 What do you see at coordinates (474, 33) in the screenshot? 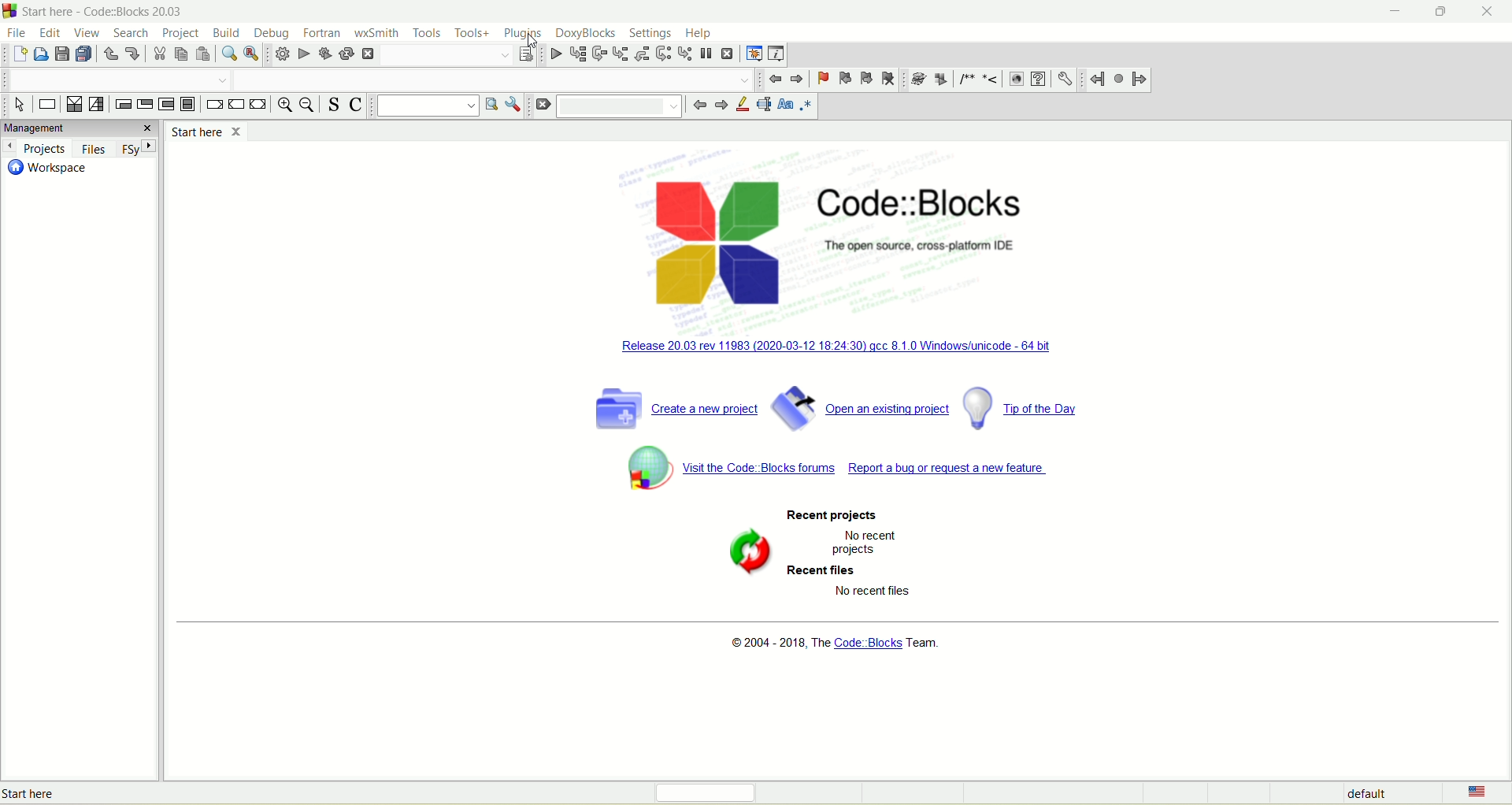
I see `tools+` at bounding box center [474, 33].